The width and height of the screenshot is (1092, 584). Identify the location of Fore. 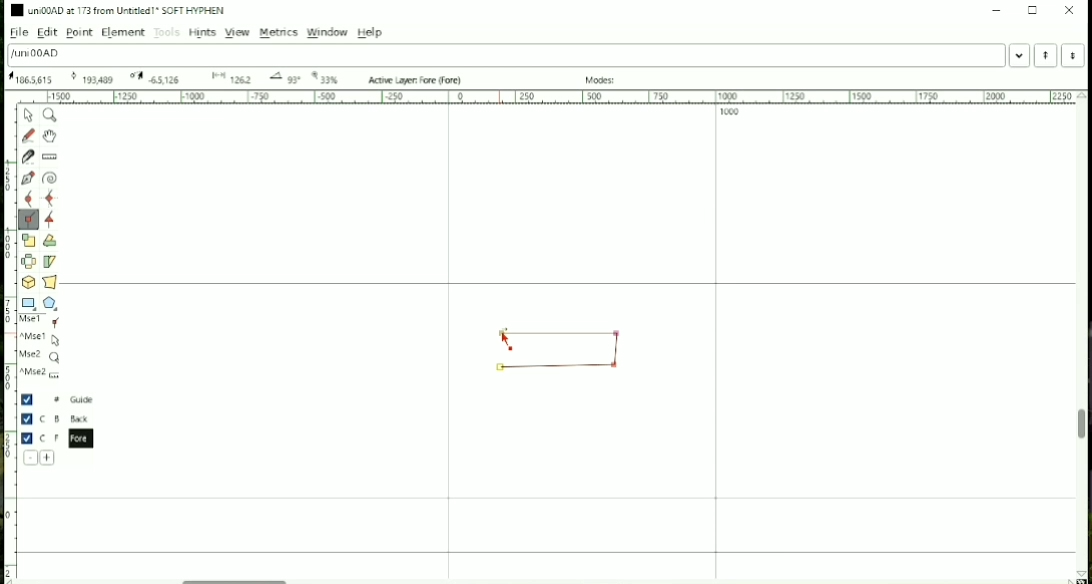
(63, 438).